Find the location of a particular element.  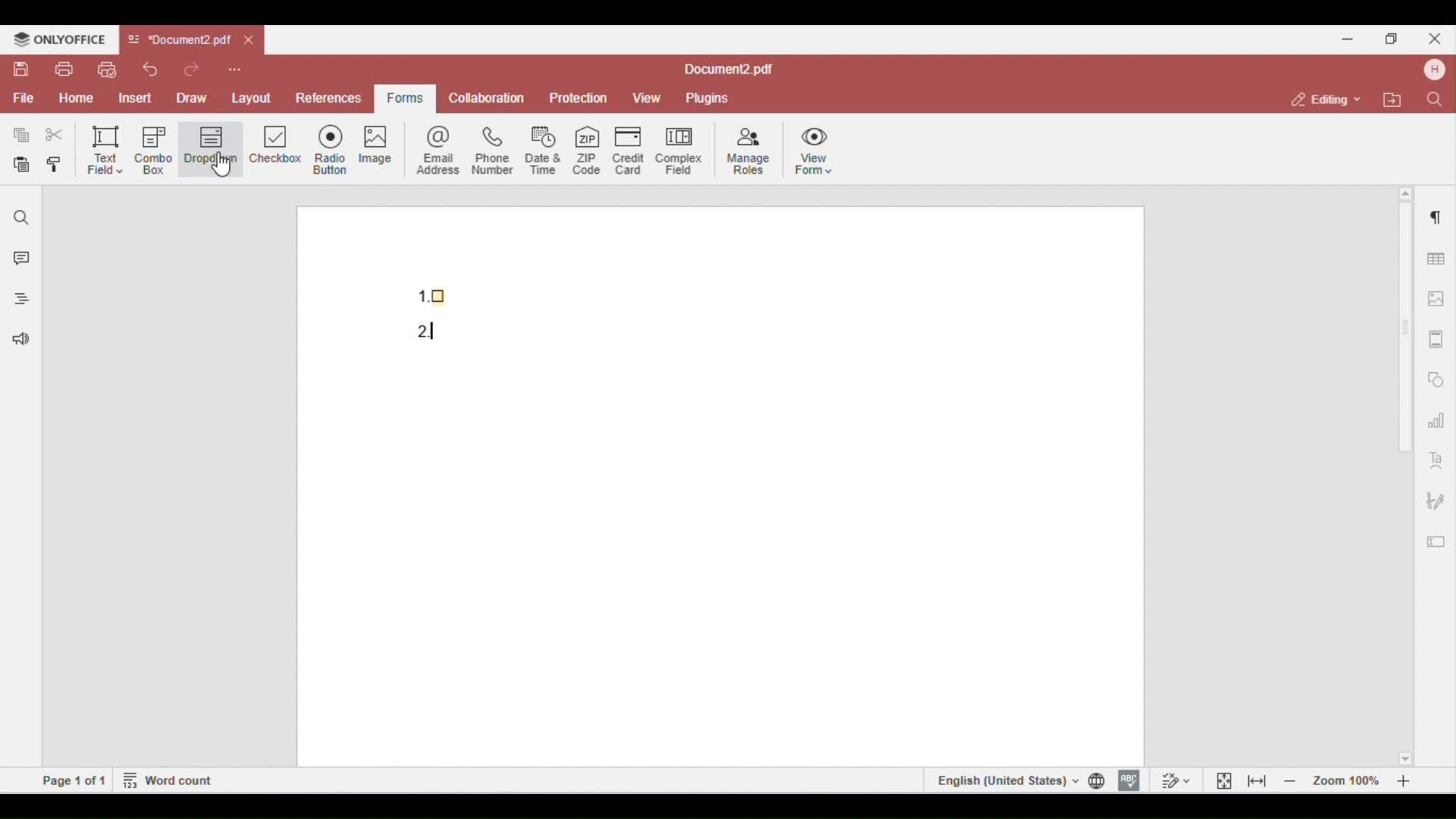

file is located at coordinates (22, 99).